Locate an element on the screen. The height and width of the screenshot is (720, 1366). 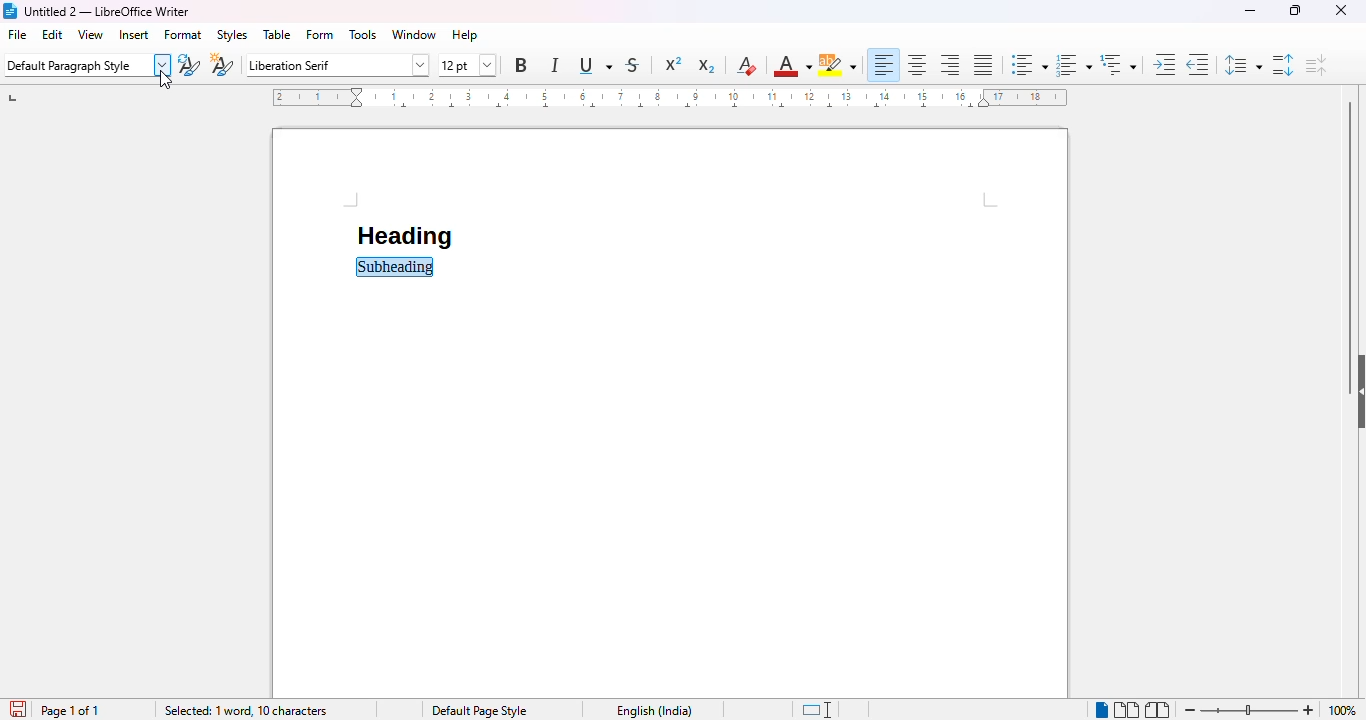
subscript is located at coordinates (706, 66).